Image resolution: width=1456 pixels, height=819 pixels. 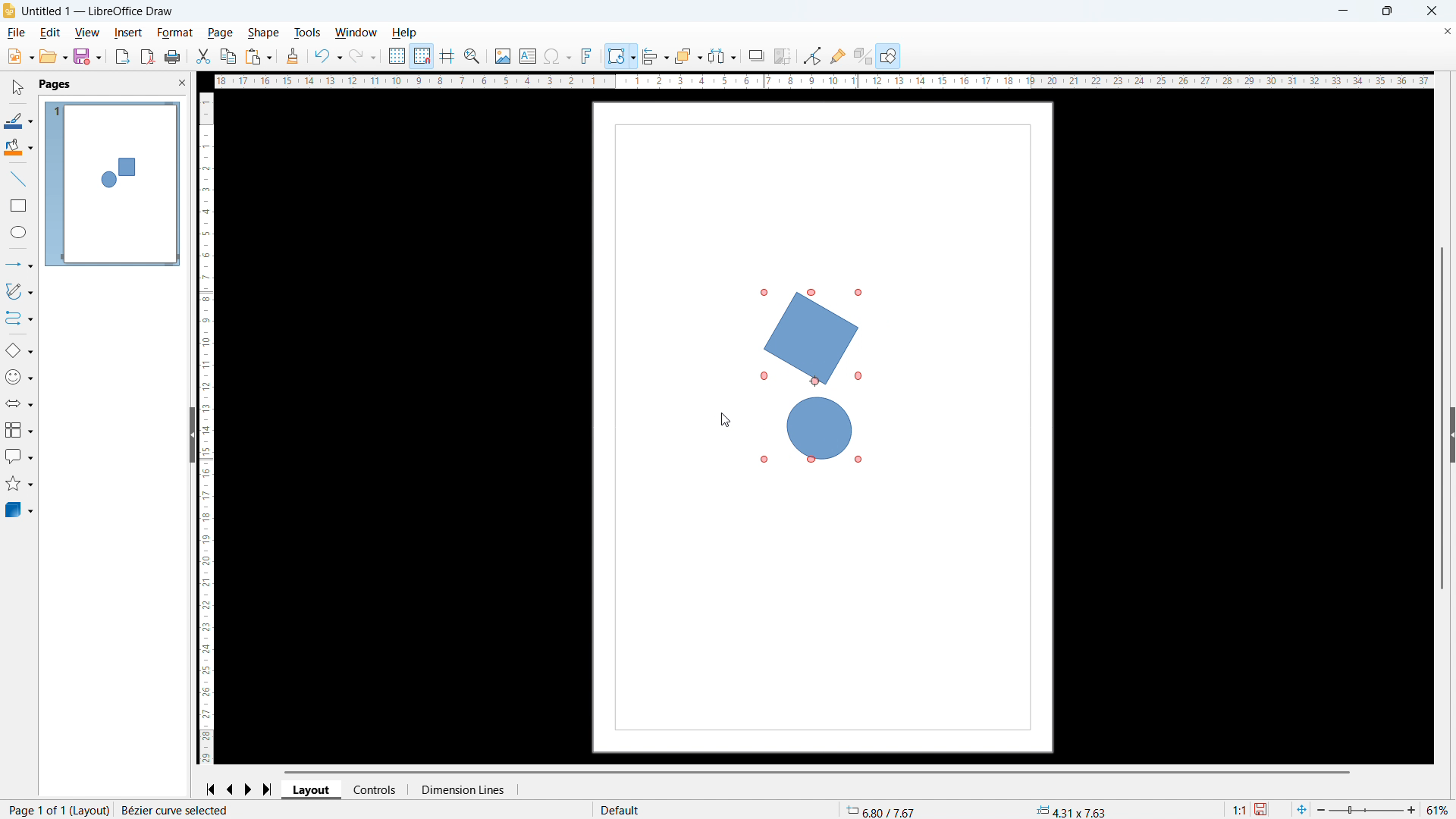 I want to click on Close , so click(x=1432, y=11).